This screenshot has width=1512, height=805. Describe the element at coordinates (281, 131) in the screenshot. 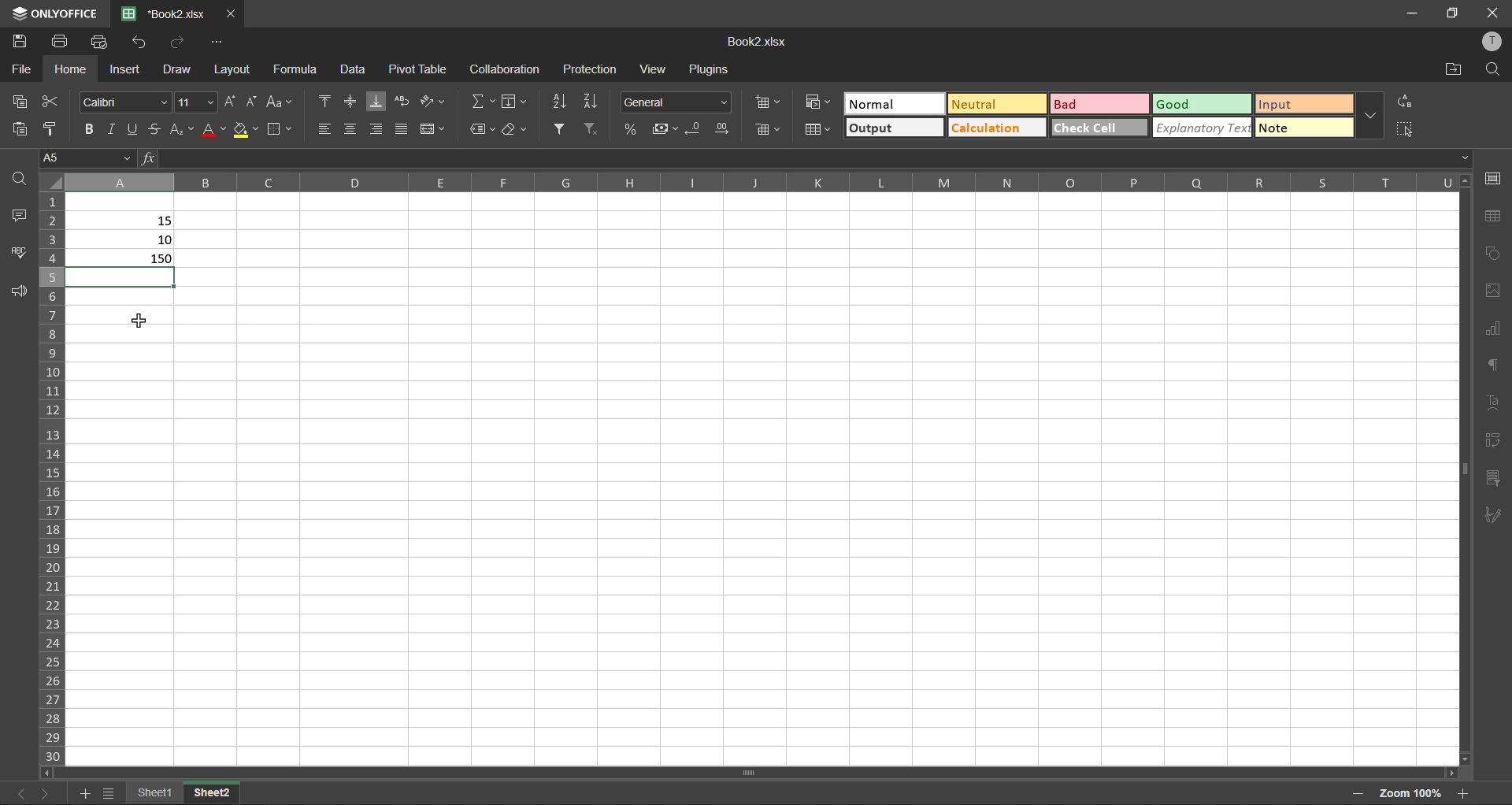

I see `borders` at that location.